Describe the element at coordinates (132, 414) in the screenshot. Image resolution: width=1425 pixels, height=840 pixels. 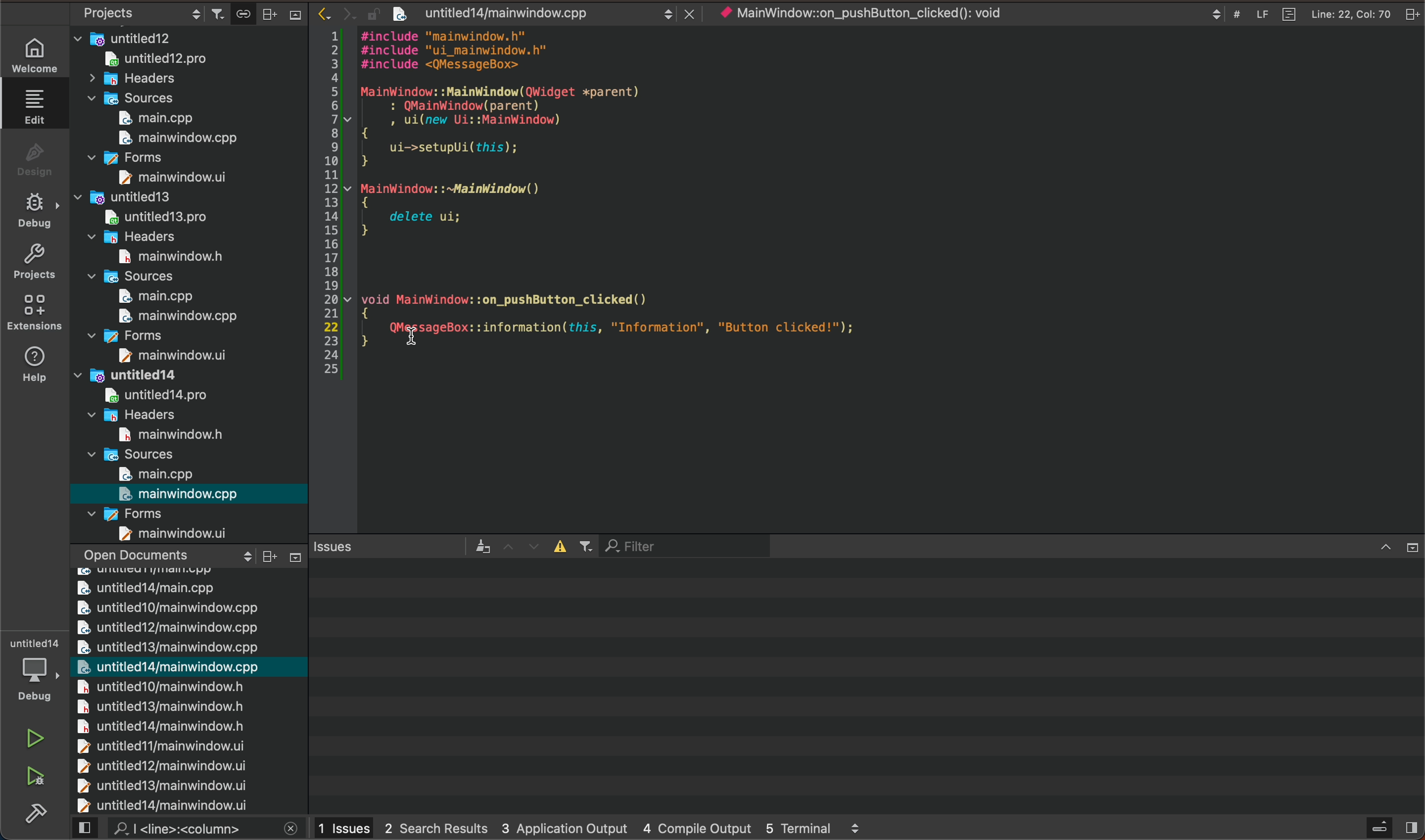
I see `headers` at that location.